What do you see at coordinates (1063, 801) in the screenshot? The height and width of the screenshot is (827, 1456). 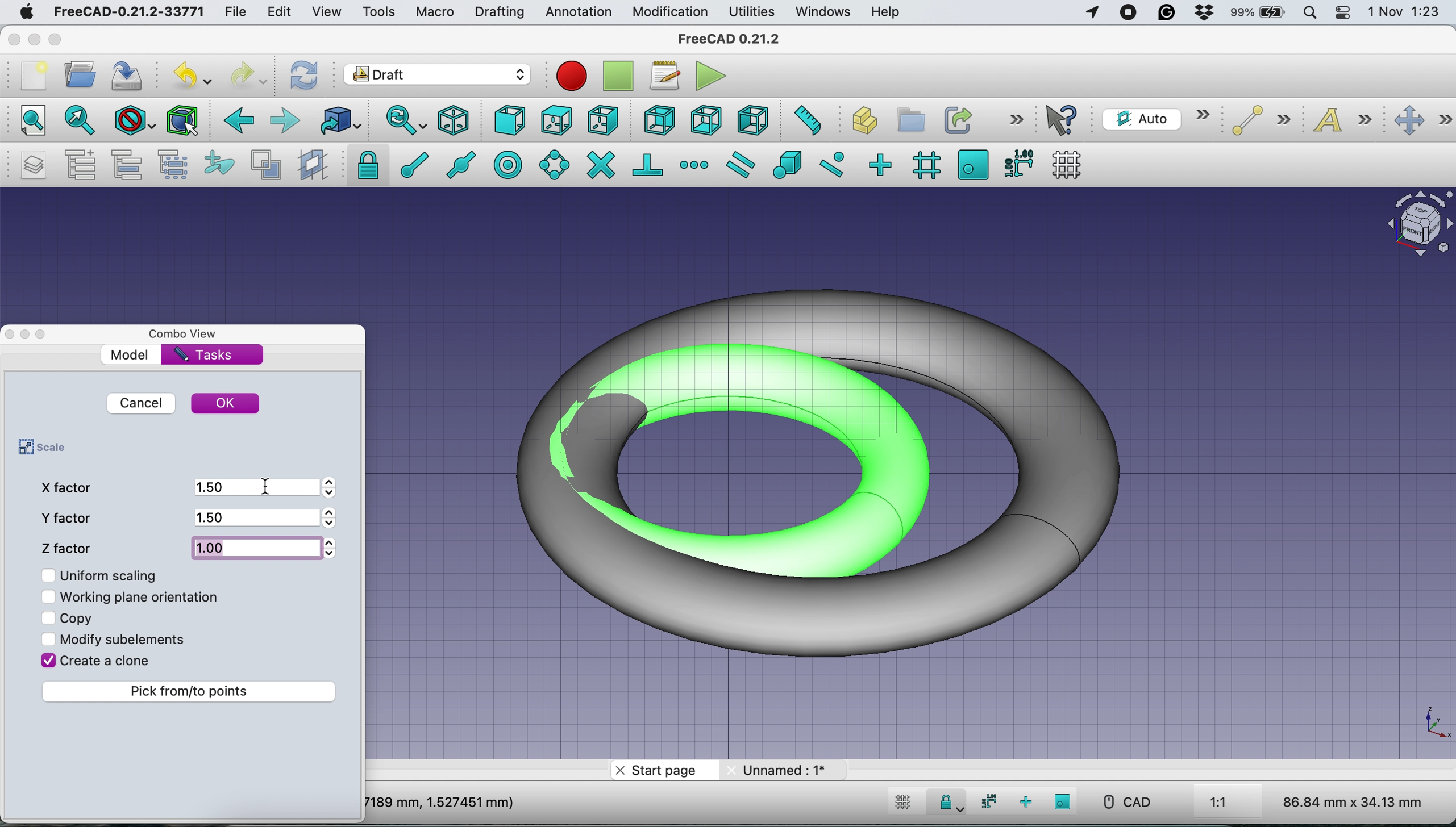 I see `snap working plane` at bounding box center [1063, 801].